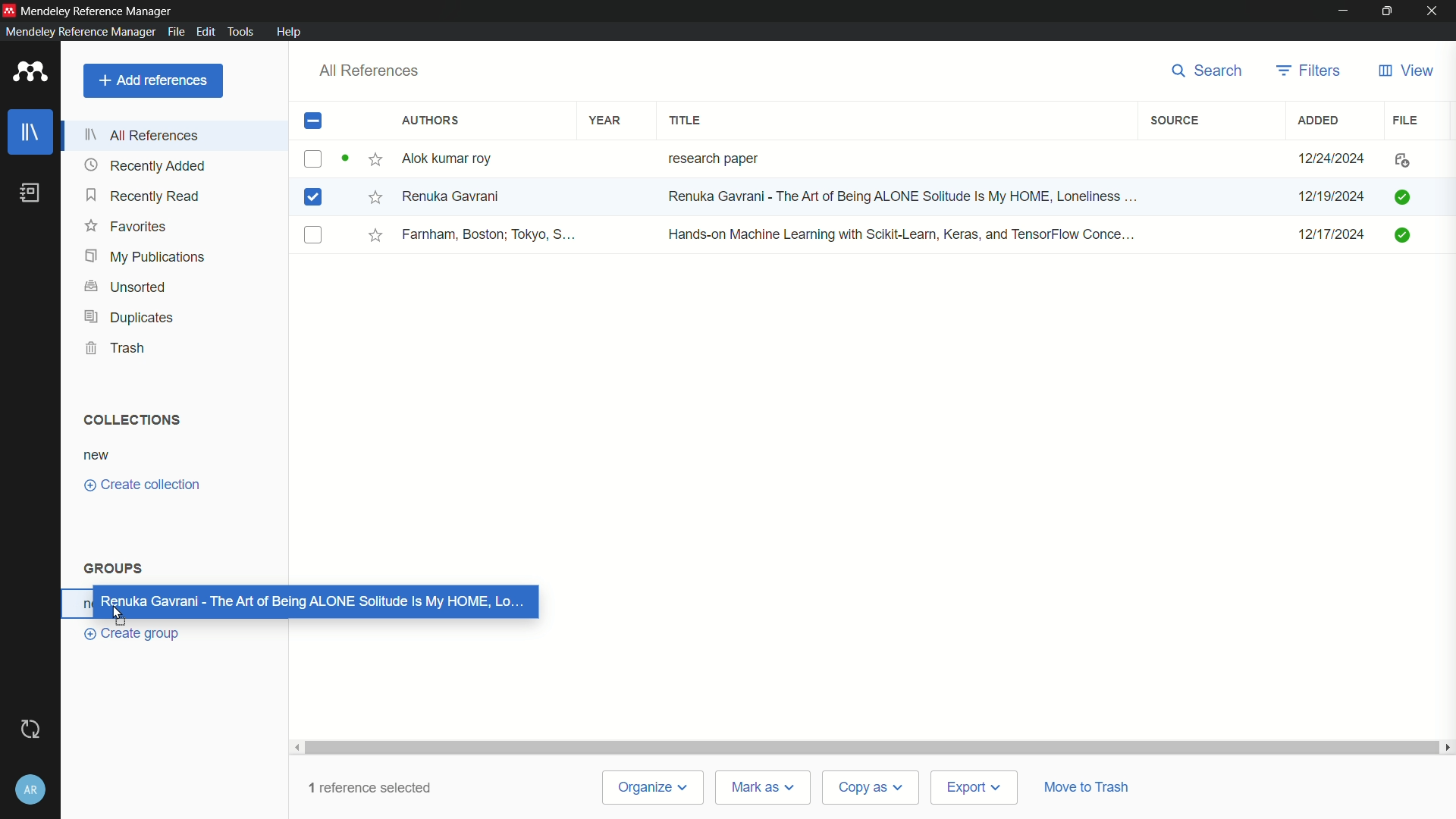  What do you see at coordinates (491, 237) in the screenshot?
I see `Famhan, Boston` at bounding box center [491, 237].